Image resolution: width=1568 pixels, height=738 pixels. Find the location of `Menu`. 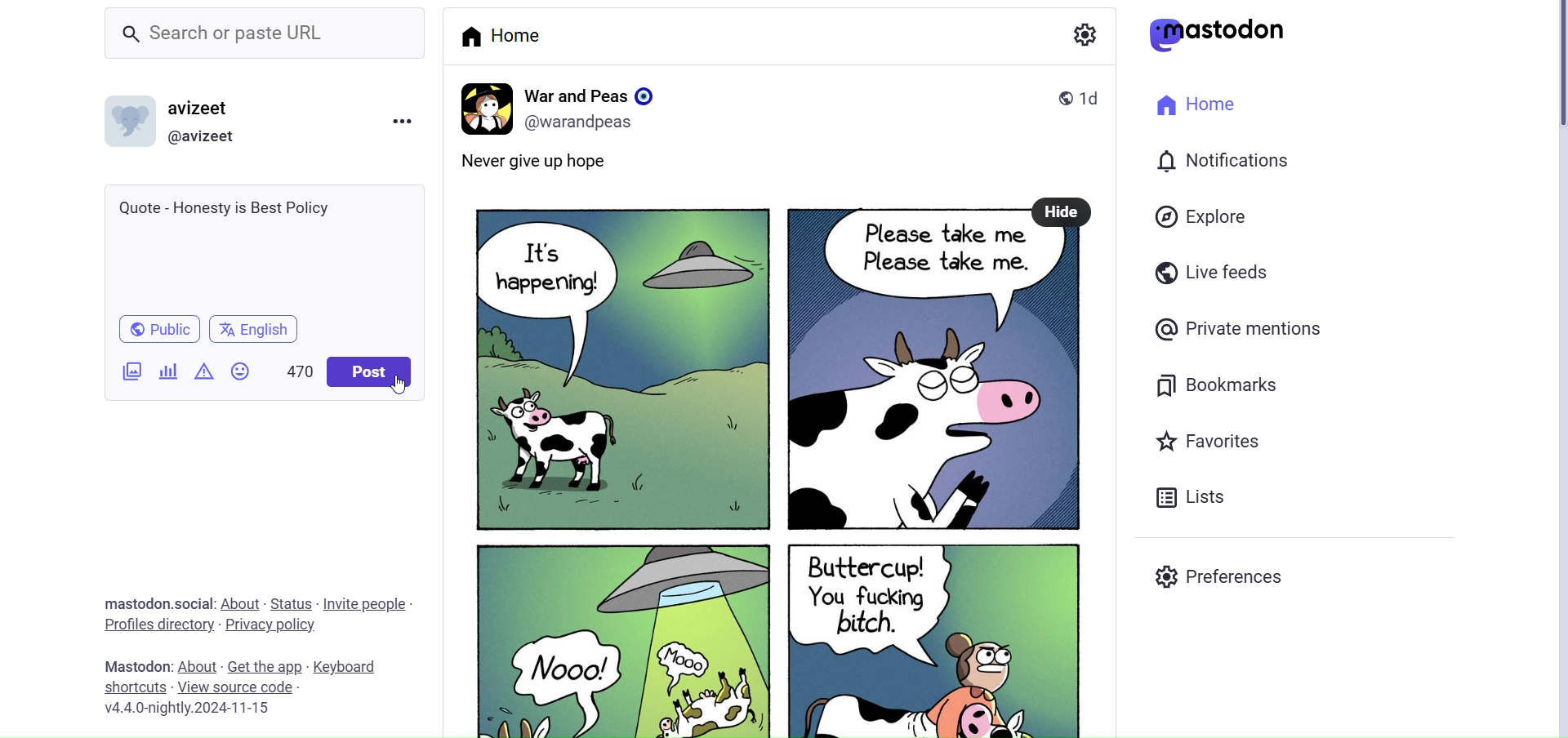

Menu is located at coordinates (406, 119).